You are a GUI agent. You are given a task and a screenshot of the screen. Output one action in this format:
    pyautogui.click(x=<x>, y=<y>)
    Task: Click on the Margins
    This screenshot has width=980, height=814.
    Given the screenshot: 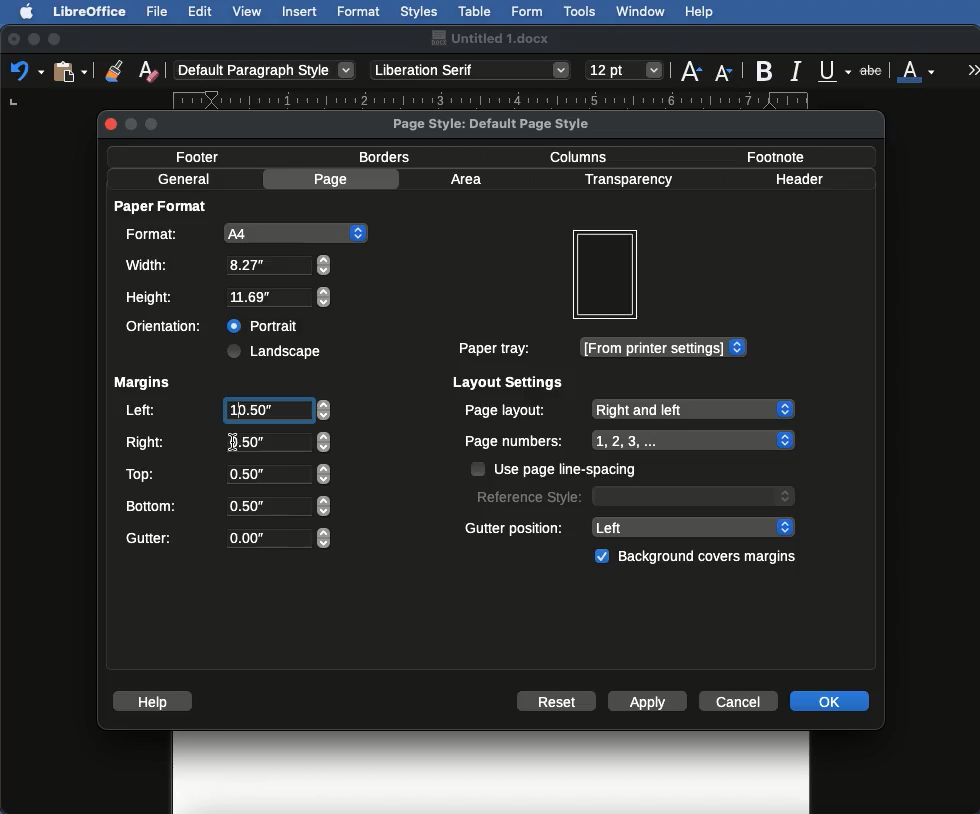 What is the action you would take?
    pyautogui.click(x=141, y=383)
    